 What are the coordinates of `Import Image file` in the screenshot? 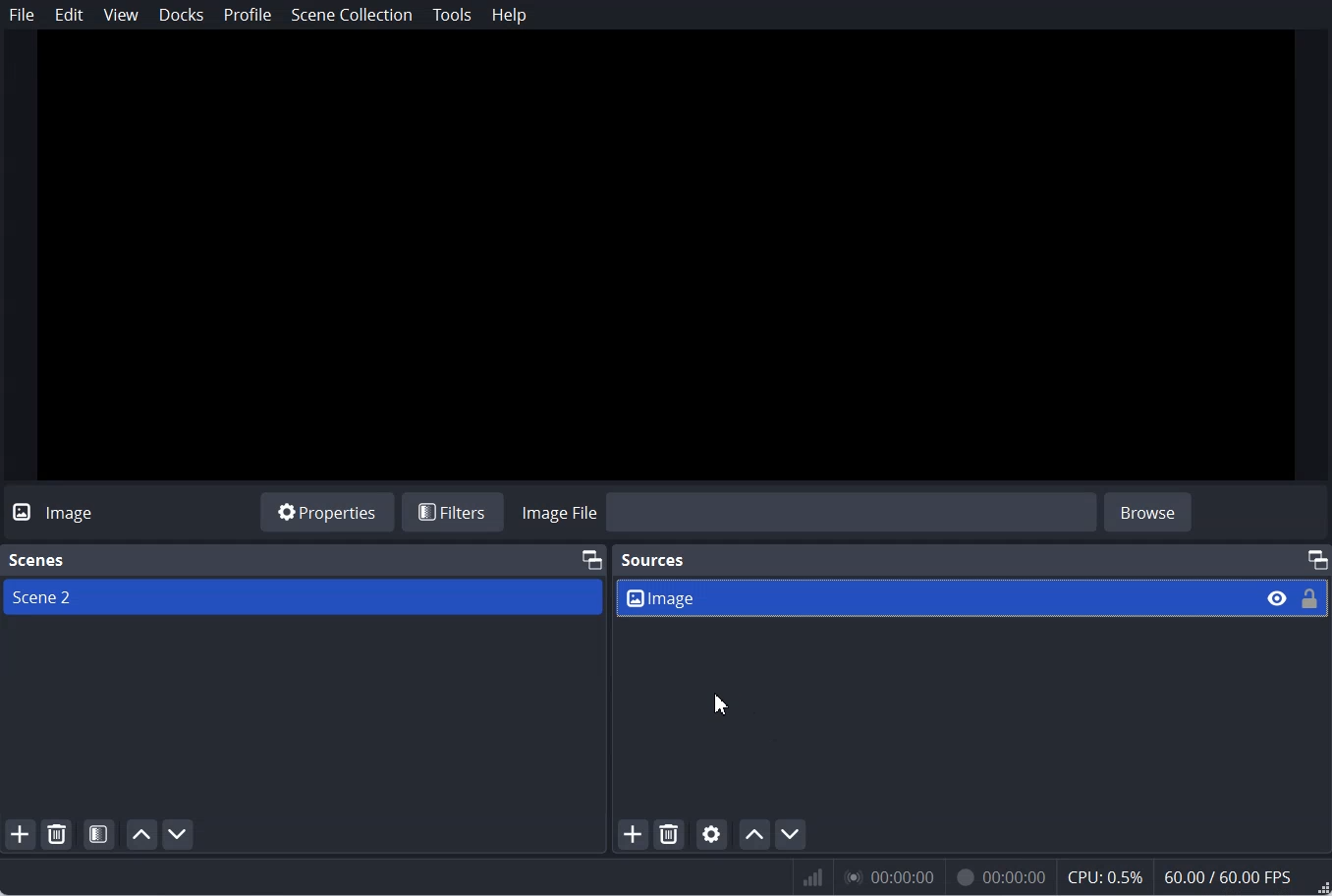 It's located at (859, 512).